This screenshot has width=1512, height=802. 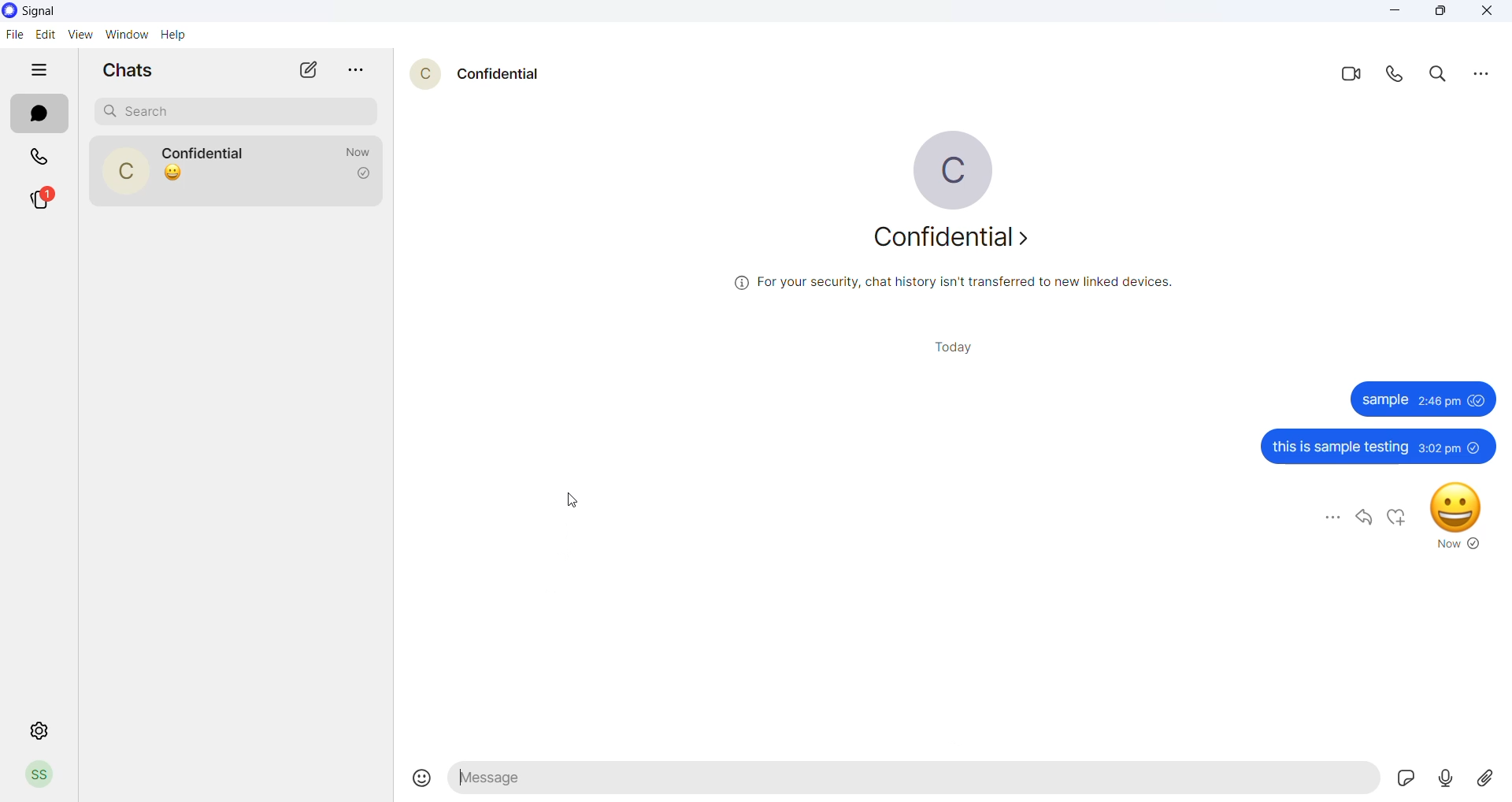 What do you see at coordinates (1391, 13) in the screenshot?
I see `minimize` at bounding box center [1391, 13].